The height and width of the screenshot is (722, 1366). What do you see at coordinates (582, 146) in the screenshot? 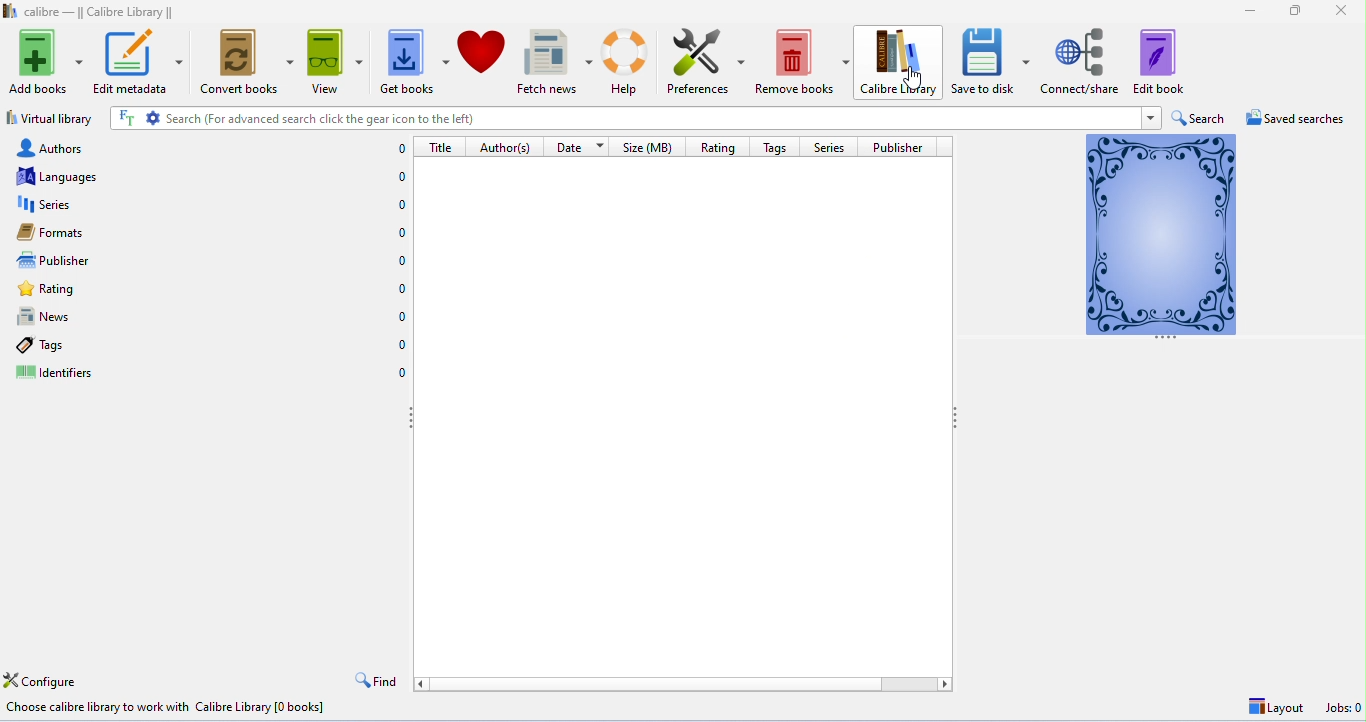
I see `date` at bounding box center [582, 146].